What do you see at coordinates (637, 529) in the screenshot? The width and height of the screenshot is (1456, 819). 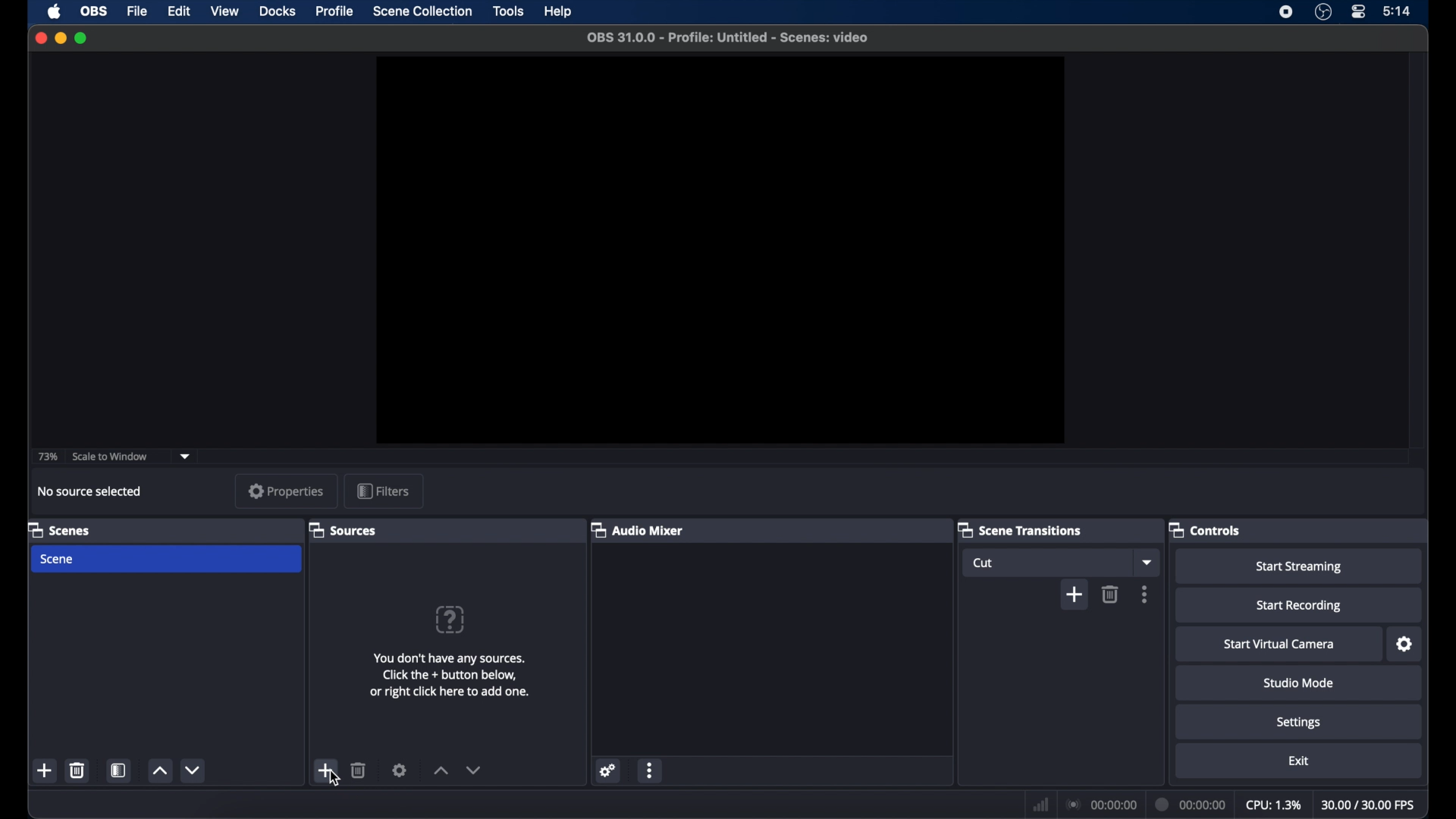 I see `audiomixer` at bounding box center [637, 529].